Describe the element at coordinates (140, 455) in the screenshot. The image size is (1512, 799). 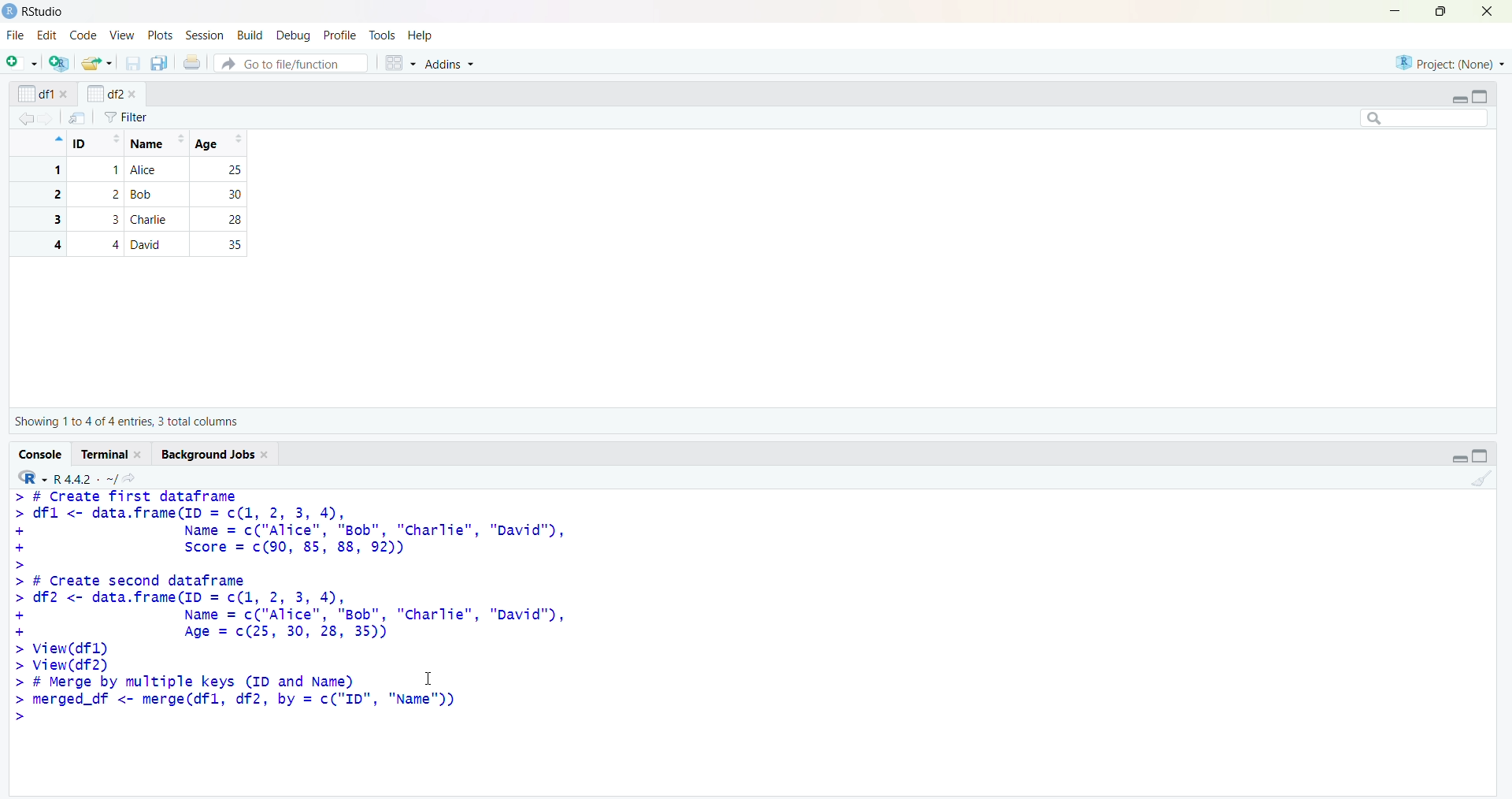
I see `close` at that location.